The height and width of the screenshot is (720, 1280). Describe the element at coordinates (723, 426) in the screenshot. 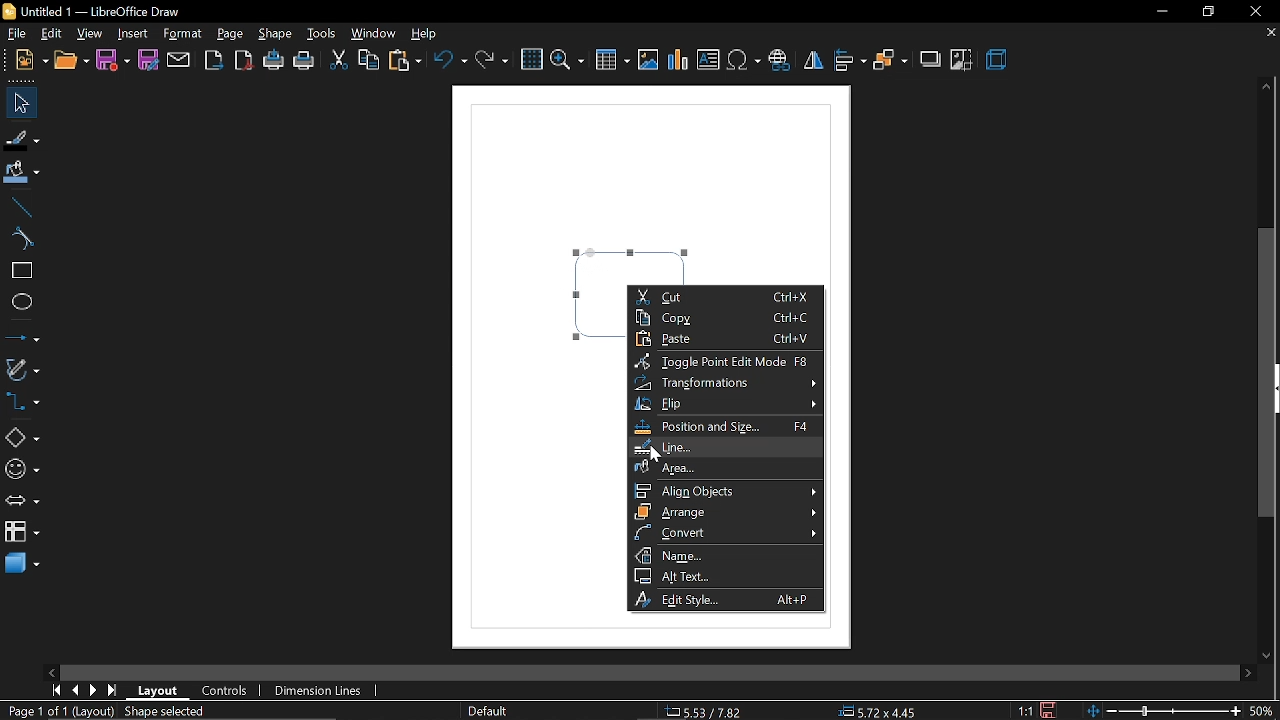

I see `position and size` at that location.